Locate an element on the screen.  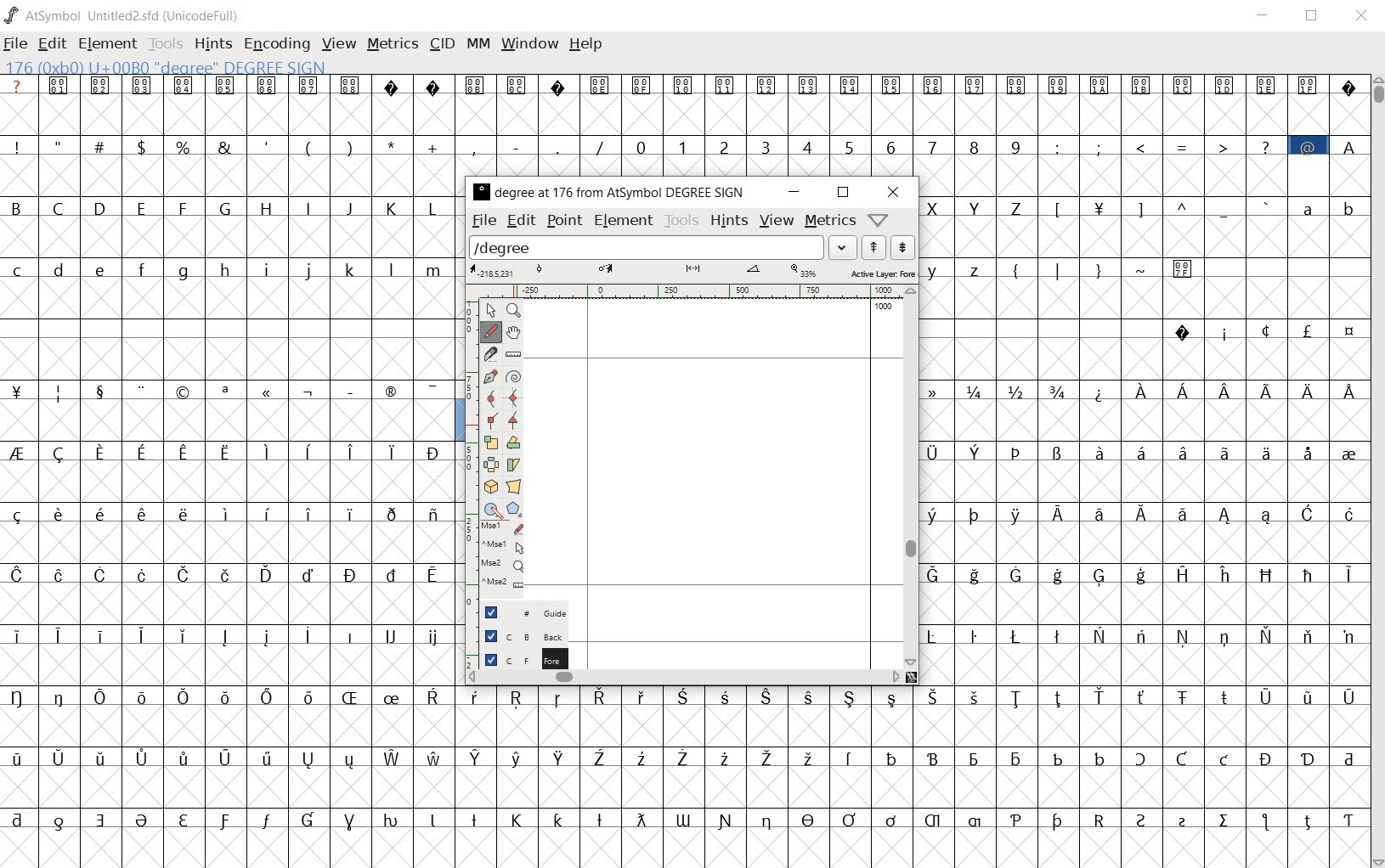
empty glyph slots is located at coordinates (1142, 300).